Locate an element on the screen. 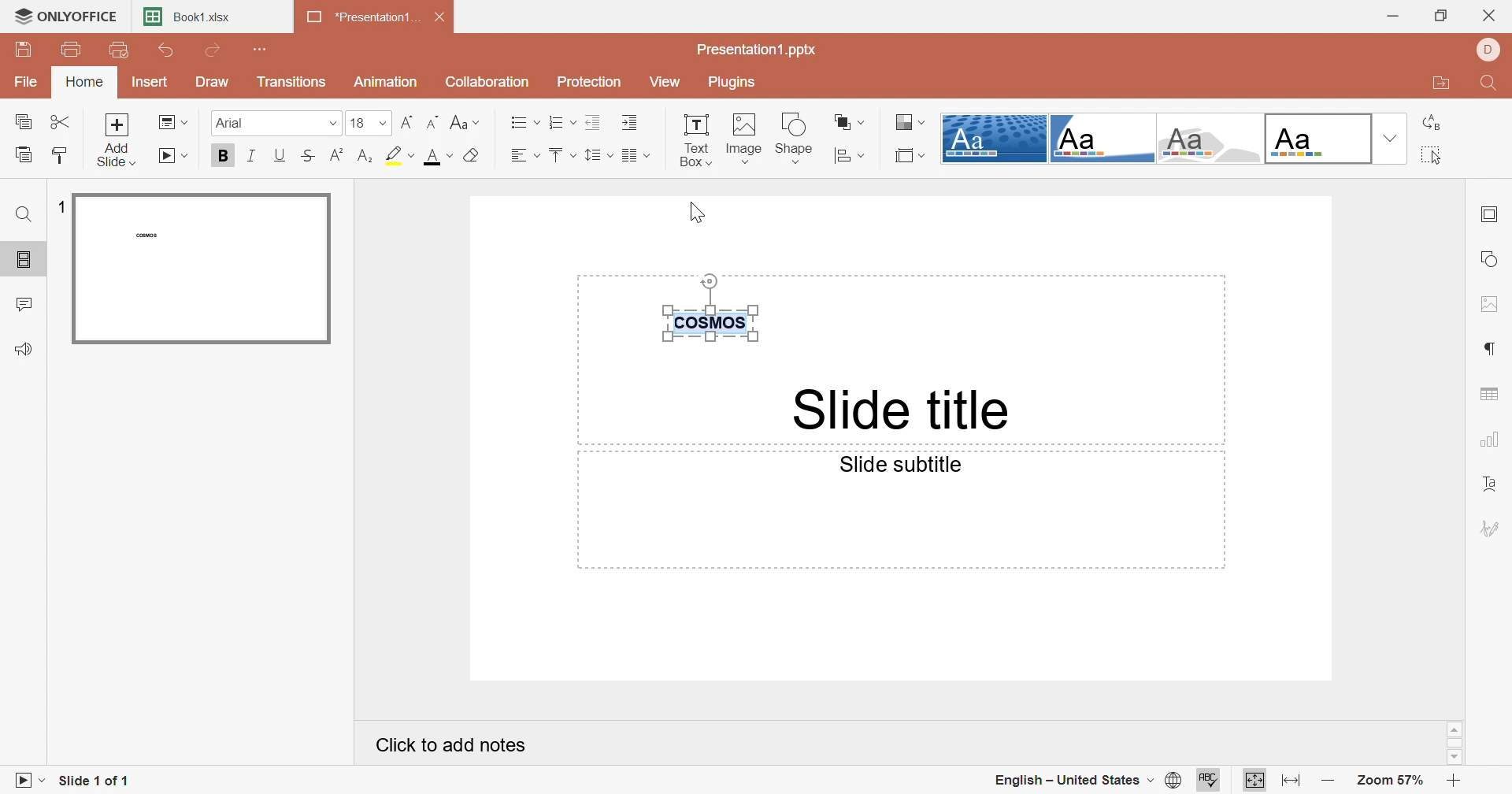 The height and width of the screenshot is (794, 1512). Protection is located at coordinates (587, 83).